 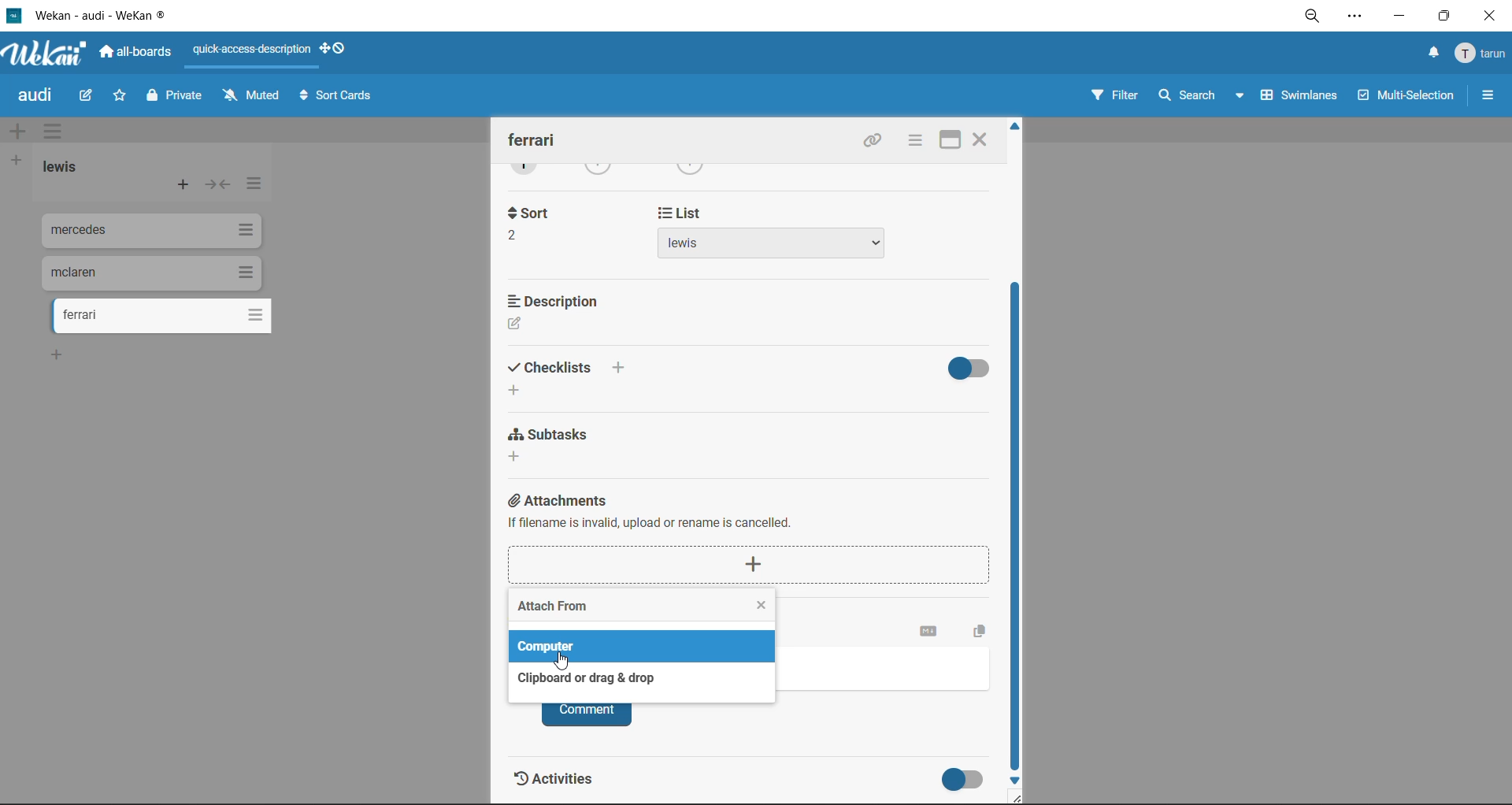 I want to click on add card, so click(x=184, y=186).